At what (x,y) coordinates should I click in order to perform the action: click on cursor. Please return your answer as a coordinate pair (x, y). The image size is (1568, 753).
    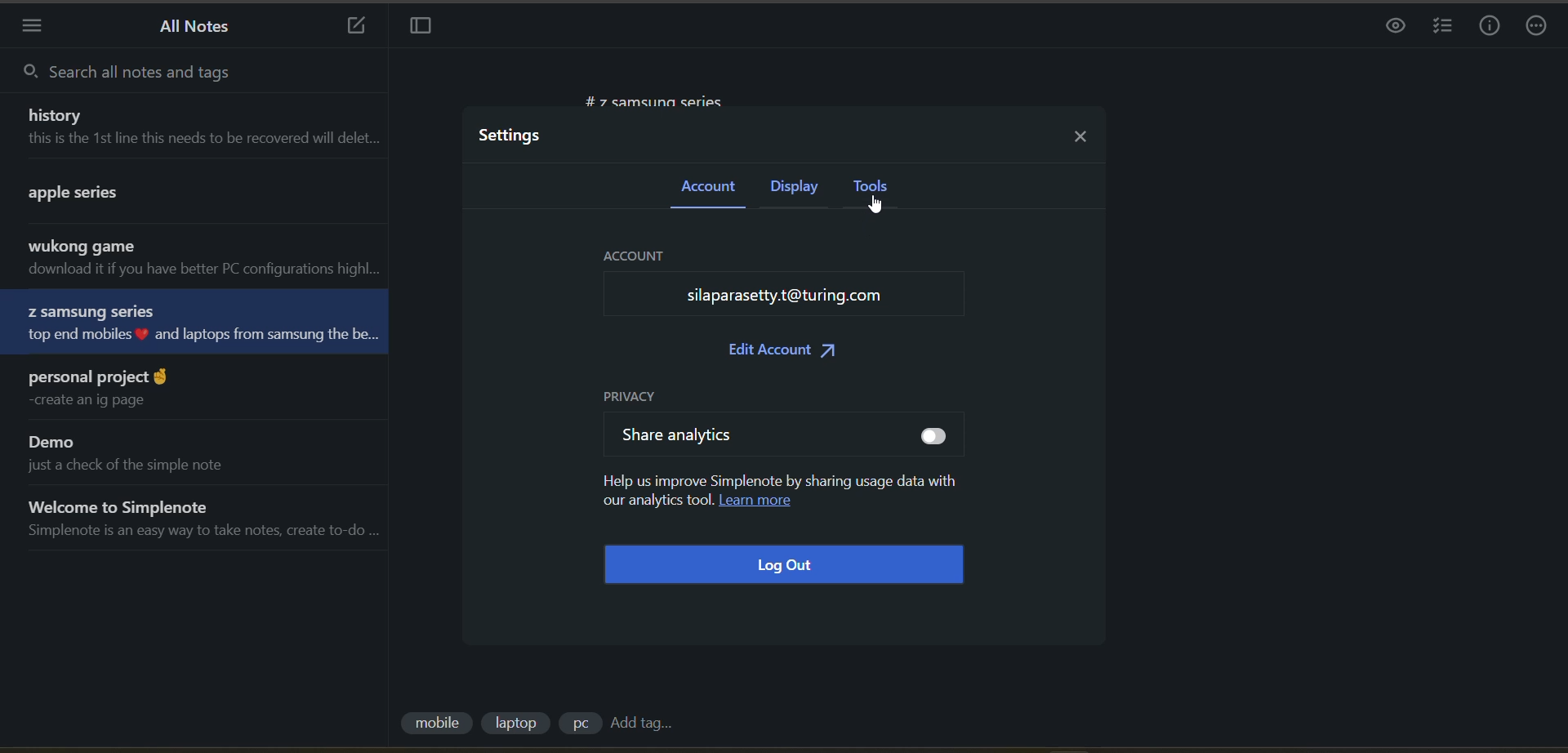
    Looking at the image, I should click on (880, 204).